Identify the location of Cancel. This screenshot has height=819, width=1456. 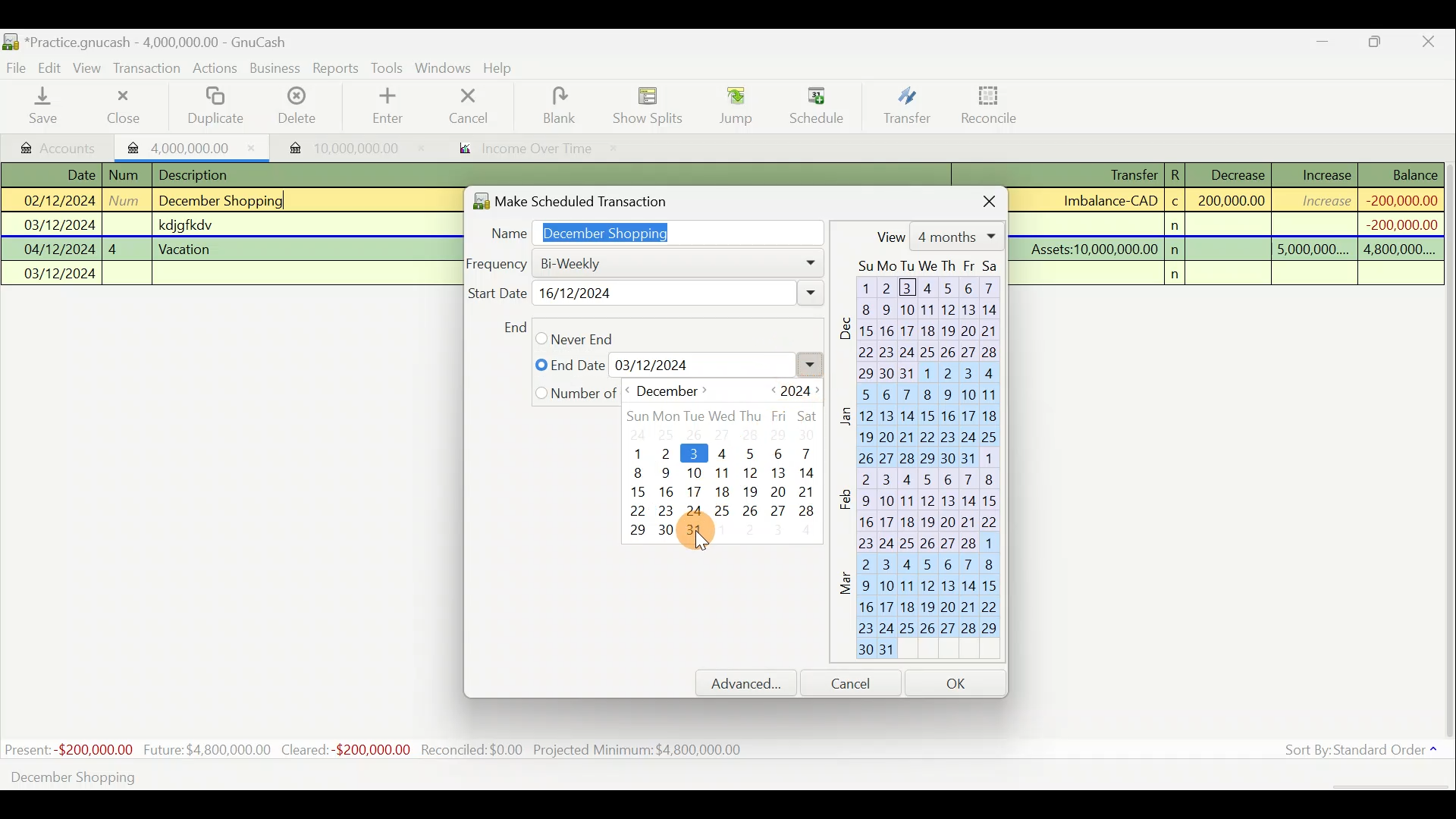
(469, 105).